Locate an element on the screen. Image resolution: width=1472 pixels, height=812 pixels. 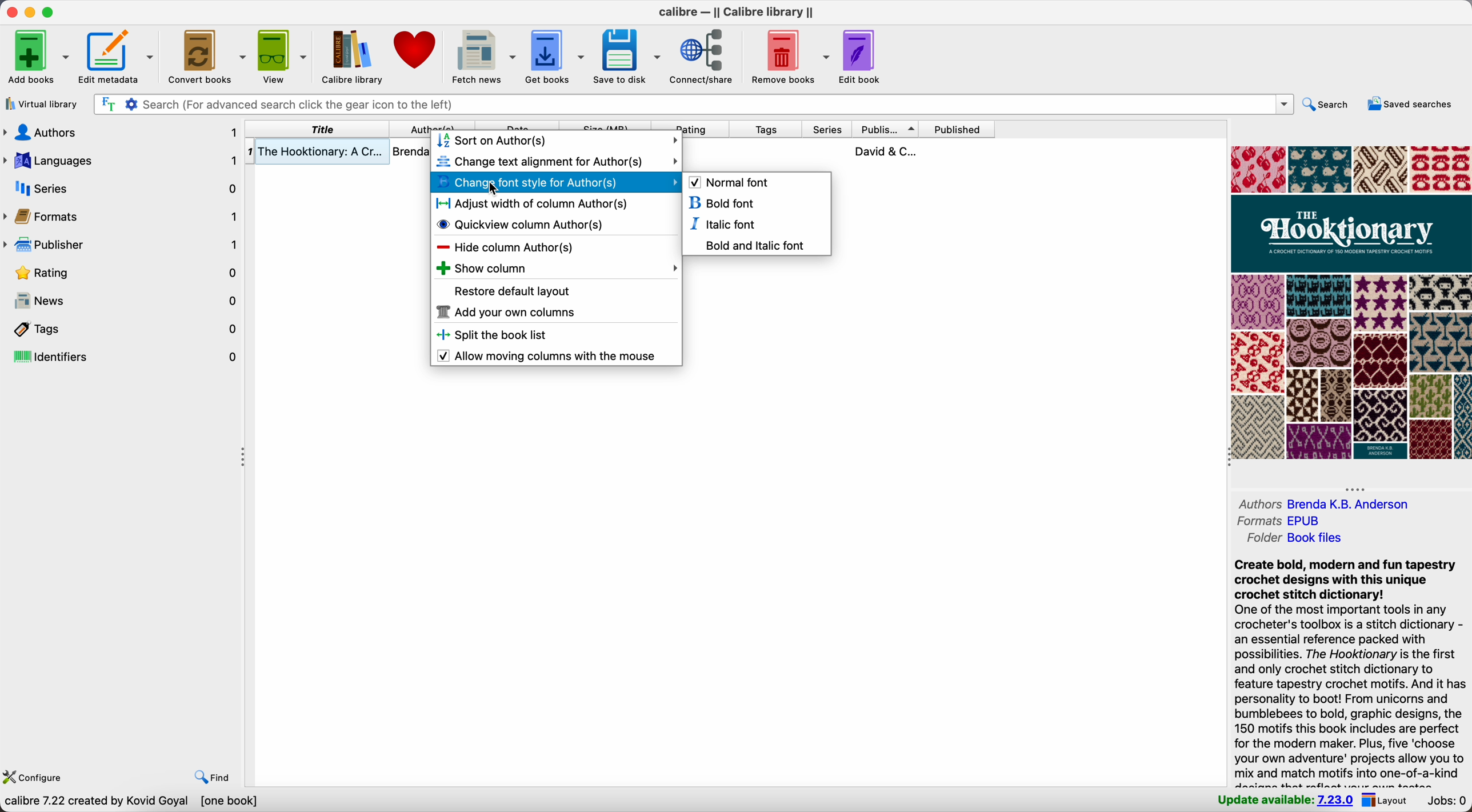
donate is located at coordinates (417, 51).